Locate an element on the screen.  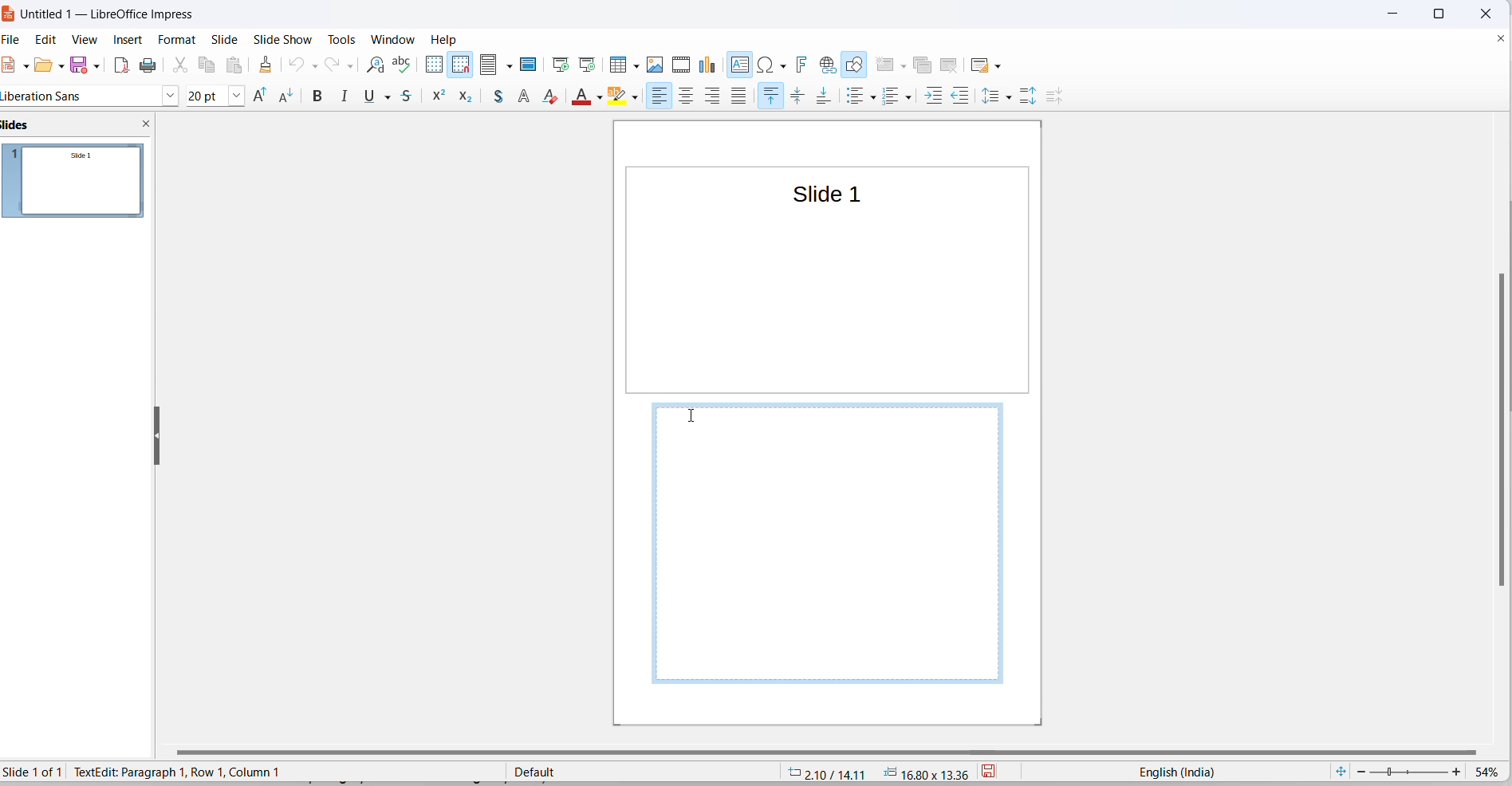
start from first slide is located at coordinates (561, 64).